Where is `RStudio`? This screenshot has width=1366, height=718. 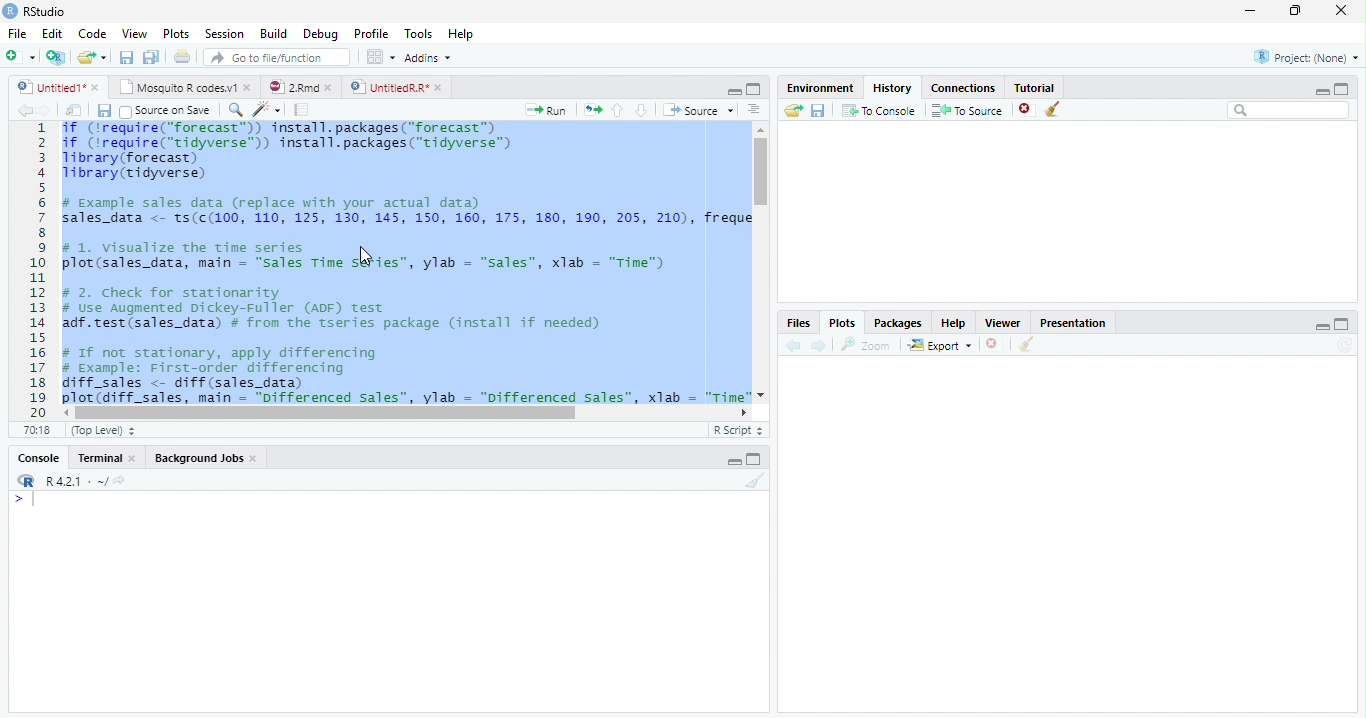 RStudio is located at coordinates (39, 12).